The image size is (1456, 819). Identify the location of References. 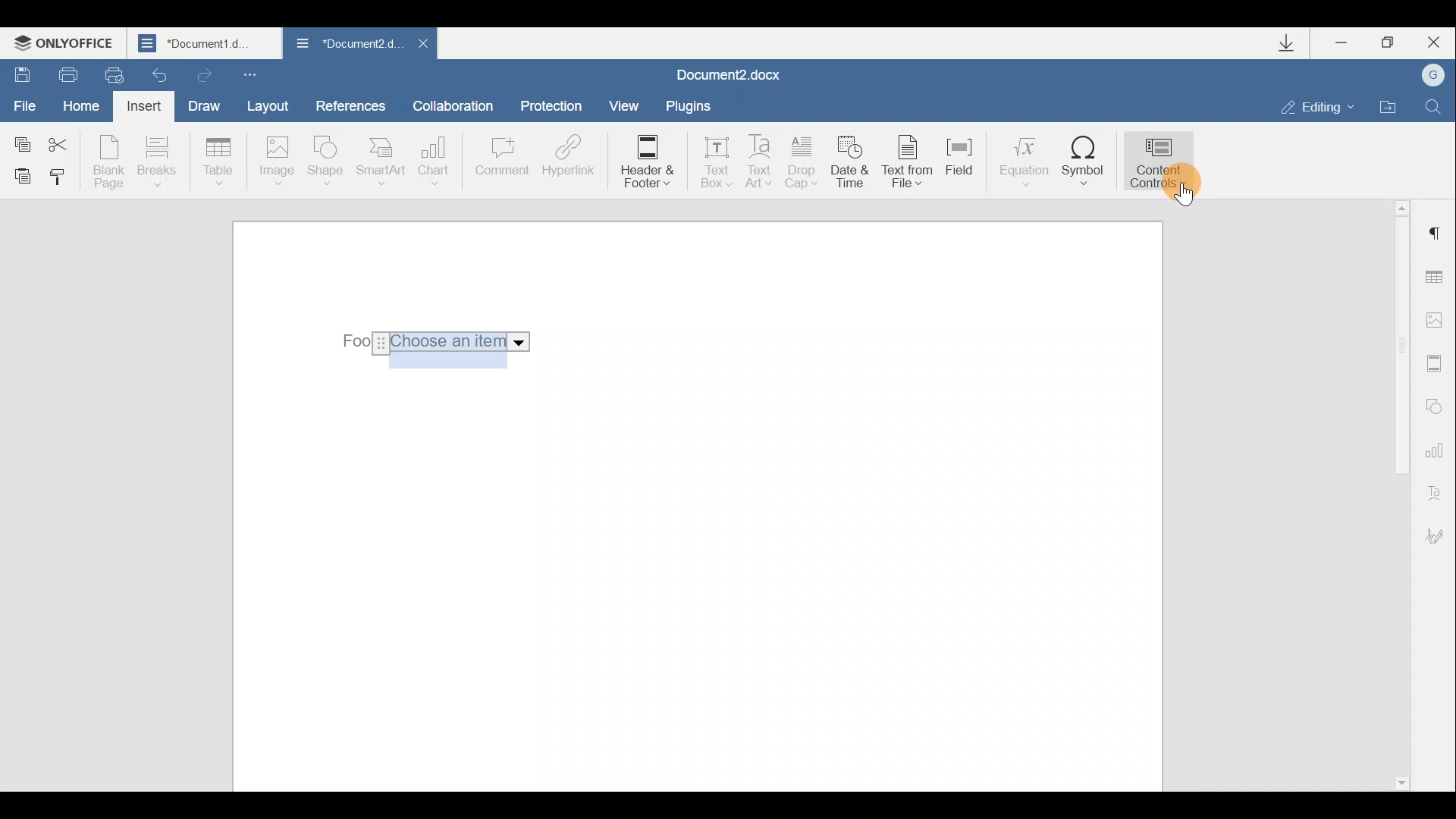
(350, 104).